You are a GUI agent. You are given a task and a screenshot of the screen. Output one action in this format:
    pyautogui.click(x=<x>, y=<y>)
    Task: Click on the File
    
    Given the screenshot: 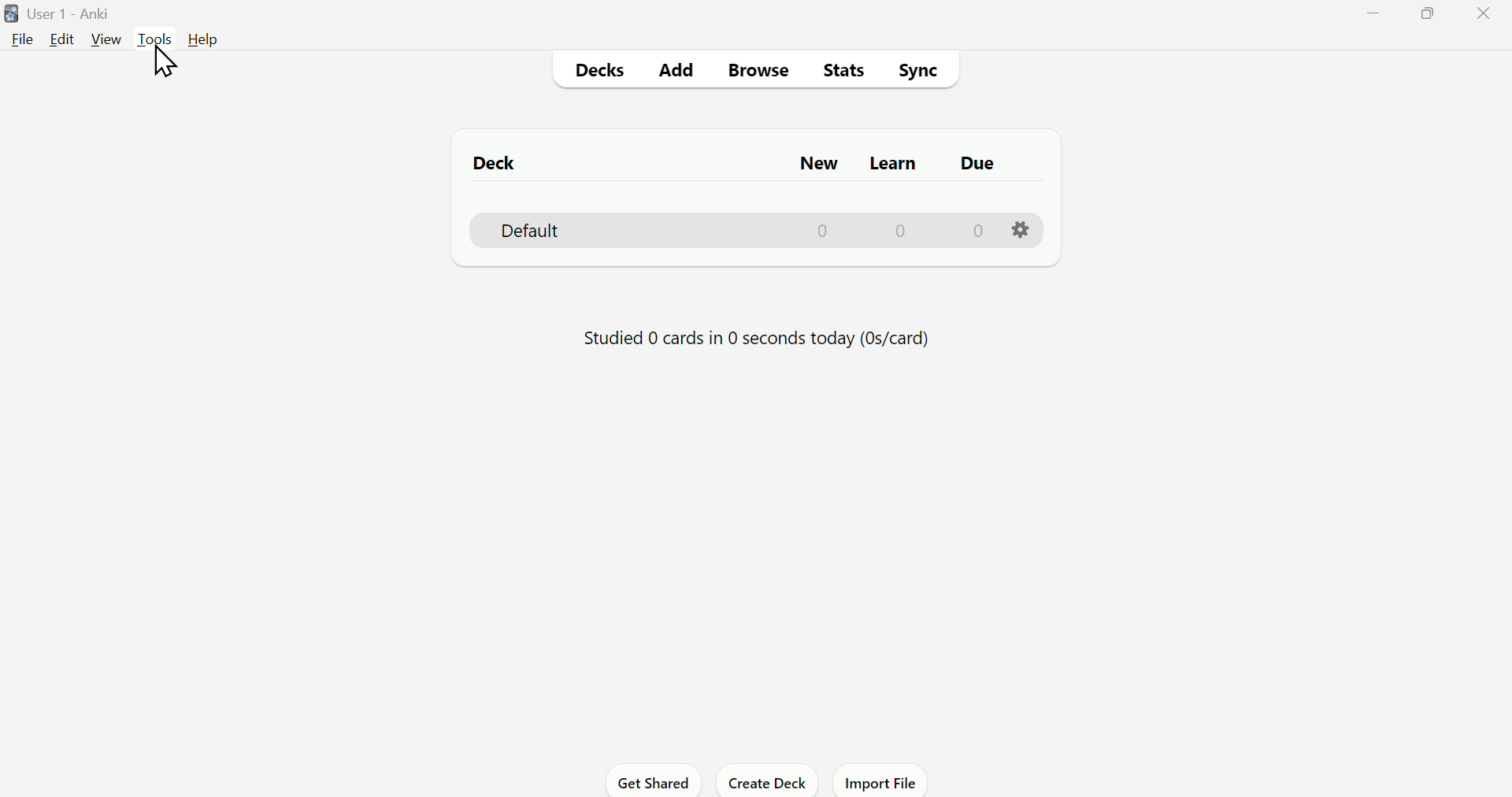 What is the action you would take?
    pyautogui.click(x=19, y=48)
    